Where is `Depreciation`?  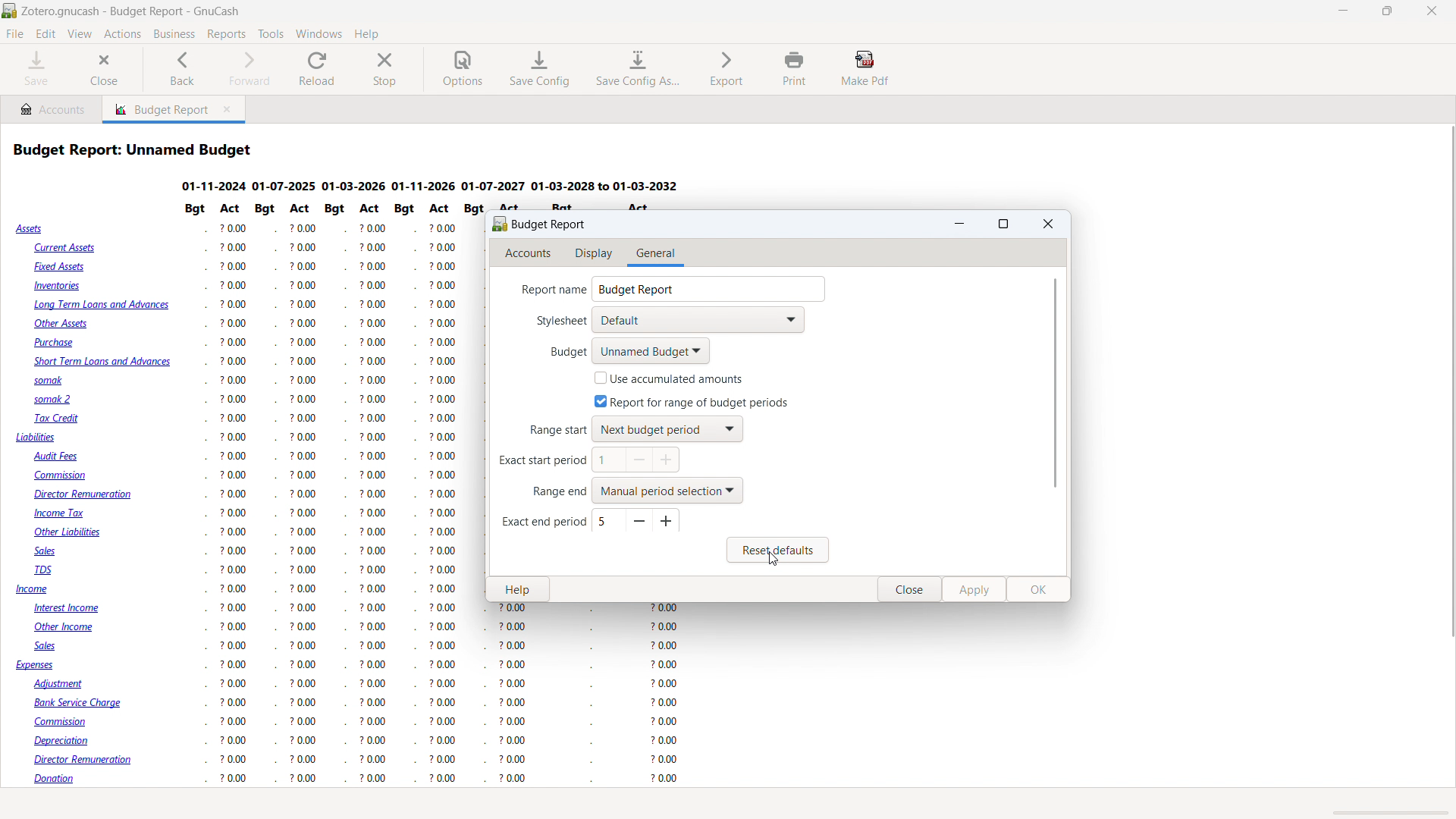
Depreciation is located at coordinates (68, 741).